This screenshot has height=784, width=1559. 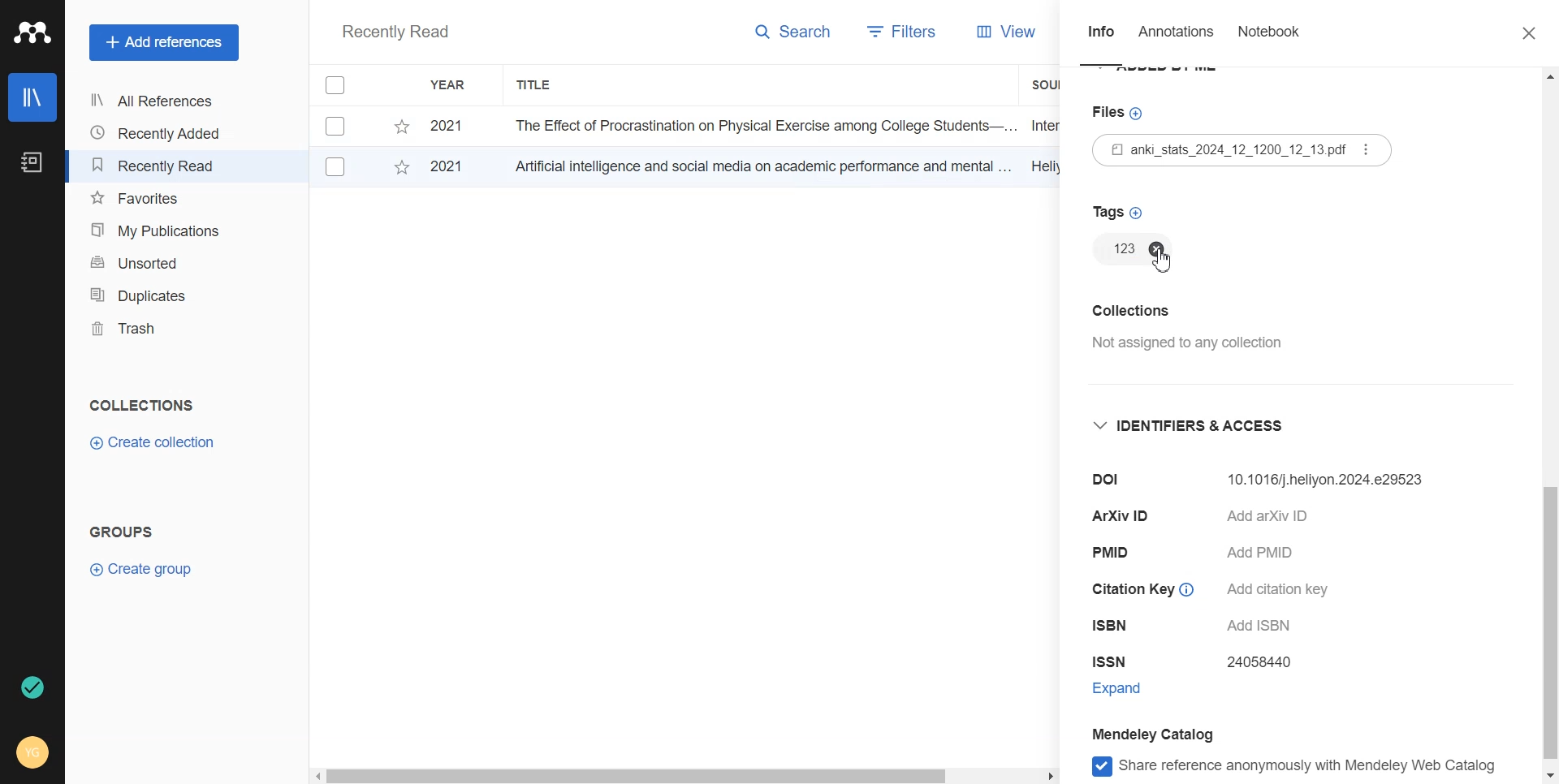 I want to click on 2021, so click(x=455, y=169).